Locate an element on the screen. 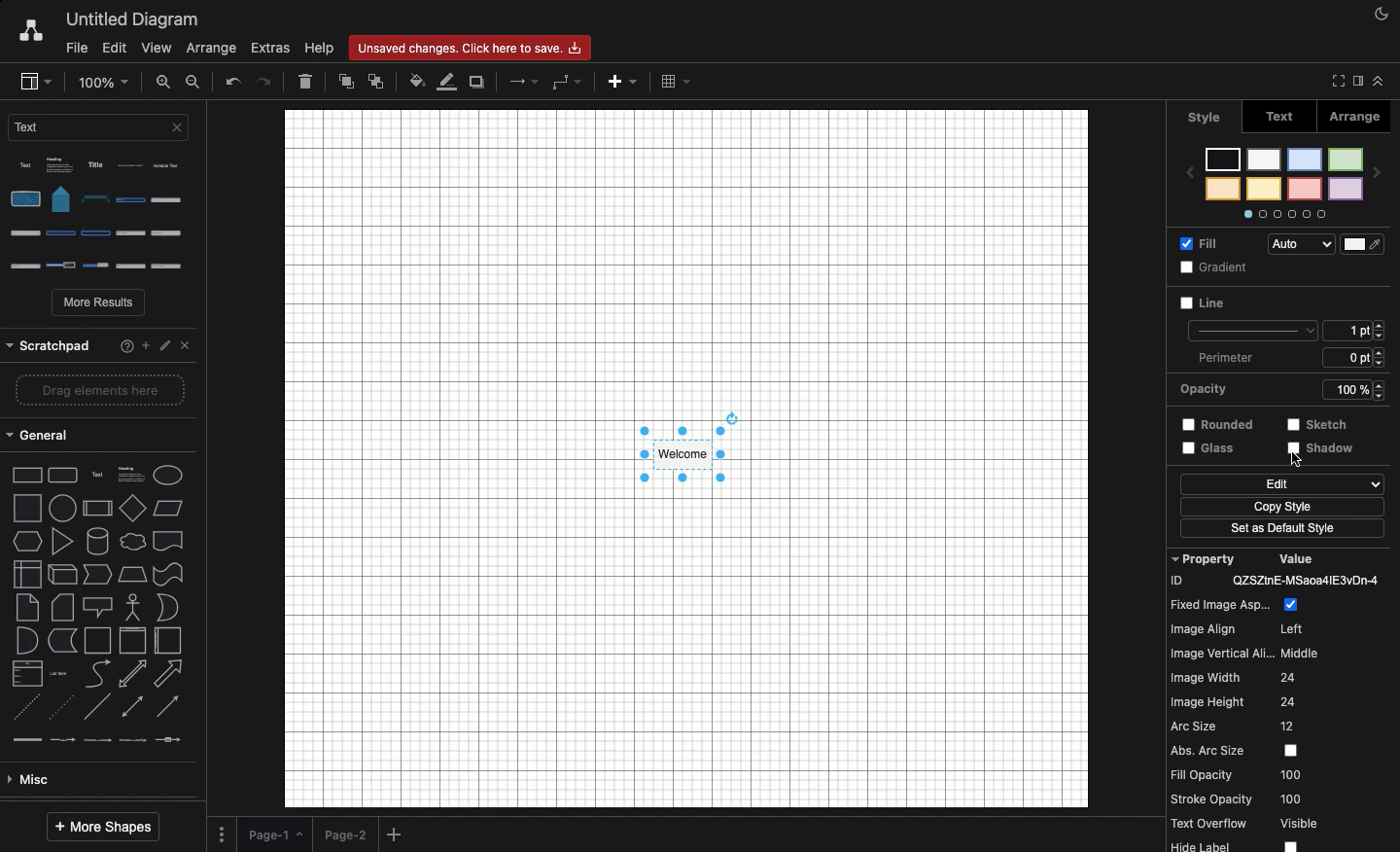 Image resolution: width=1400 pixels, height=852 pixels. To back is located at coordinates (375, 81).